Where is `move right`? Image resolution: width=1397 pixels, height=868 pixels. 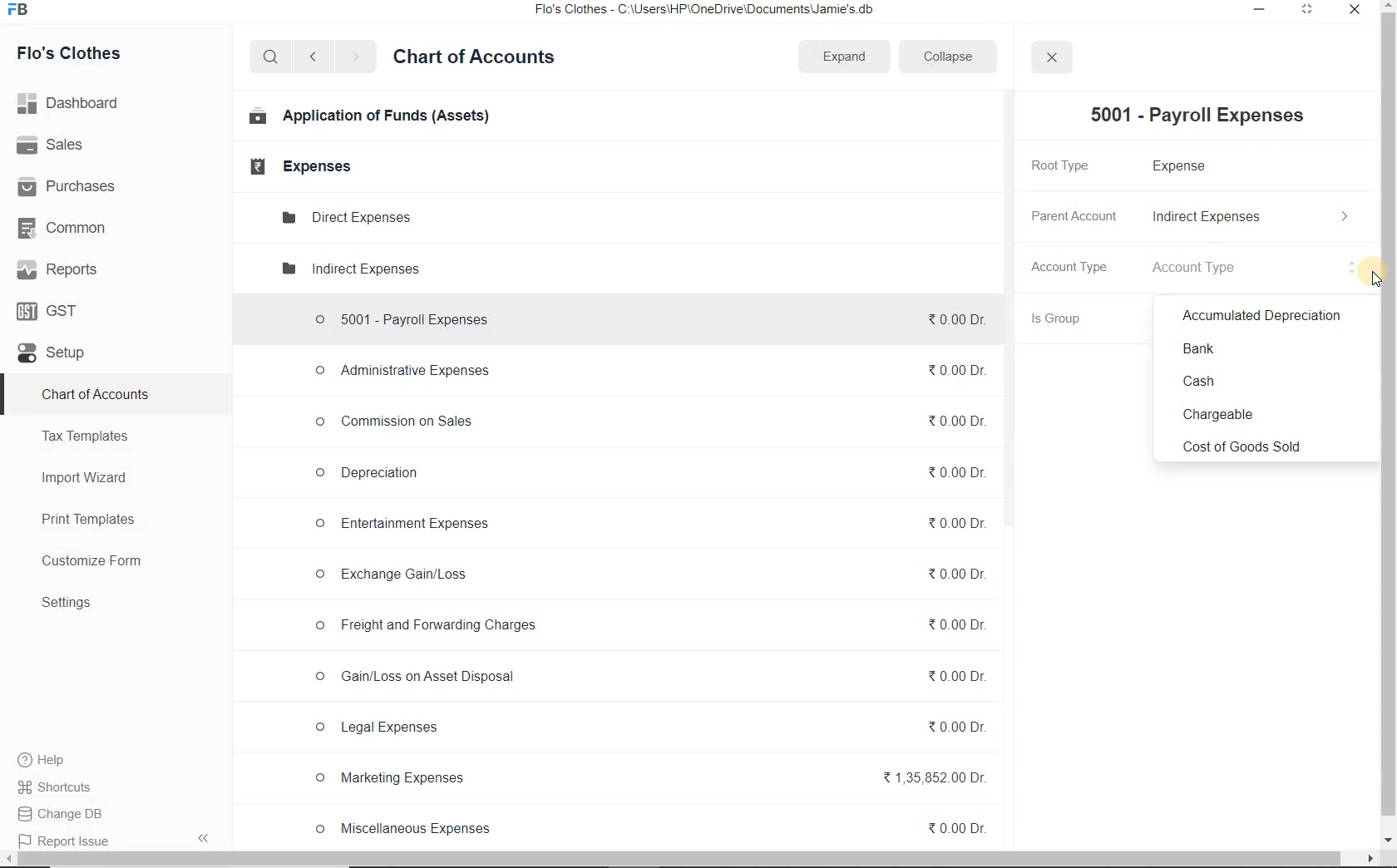
move right is located at coordinates (1369, 860).